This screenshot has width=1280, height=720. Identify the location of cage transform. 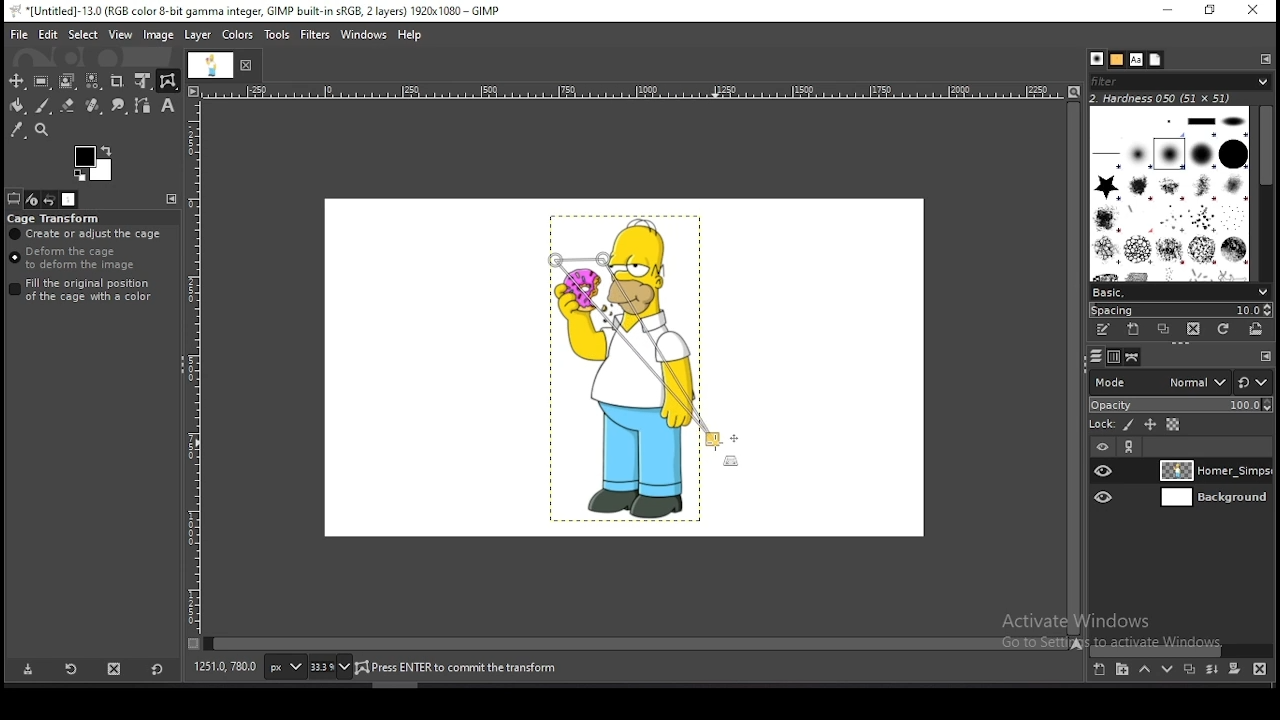
(168, 81).